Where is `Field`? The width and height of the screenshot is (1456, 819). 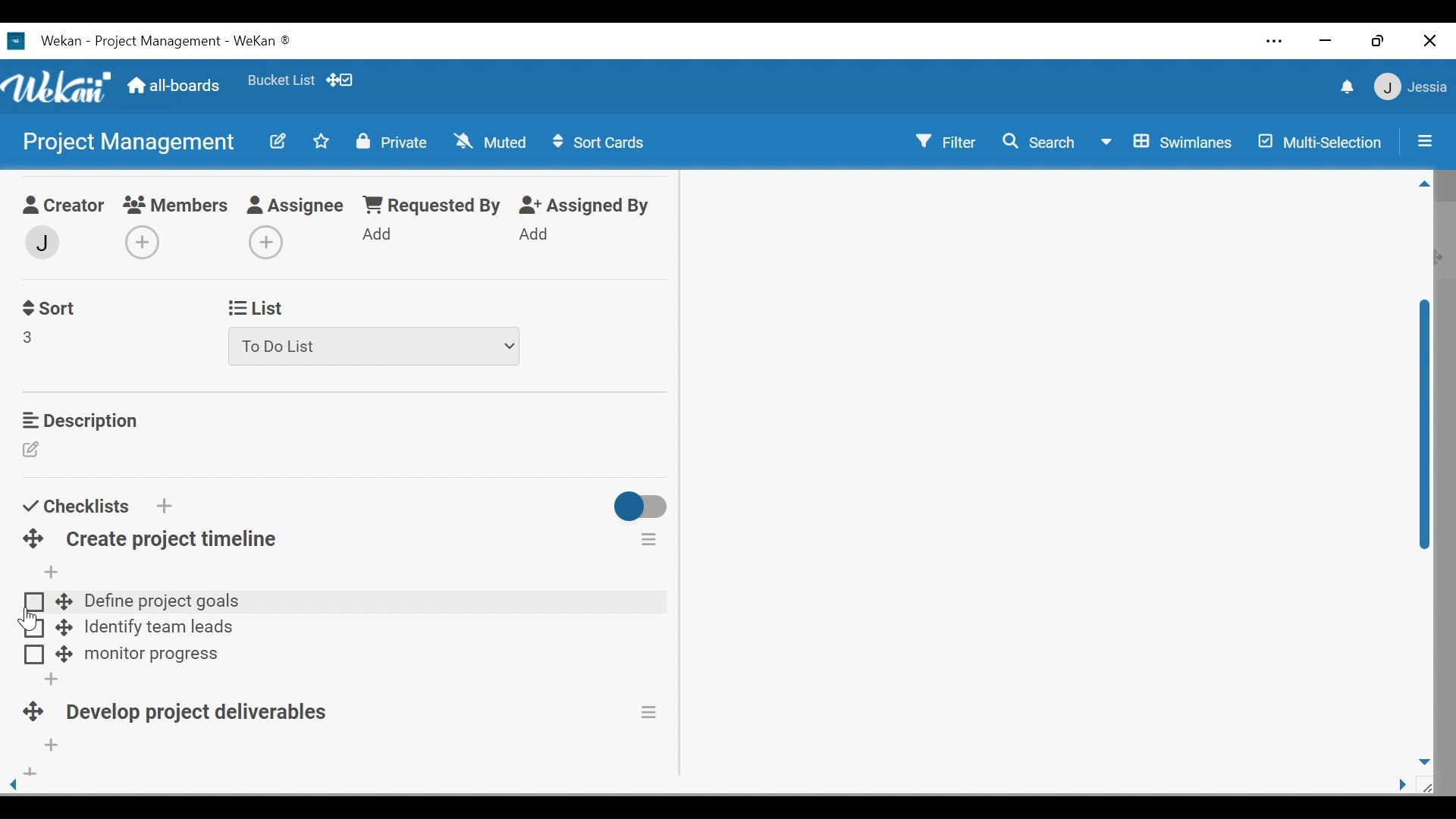 Field is located at coordinates (29, 337).